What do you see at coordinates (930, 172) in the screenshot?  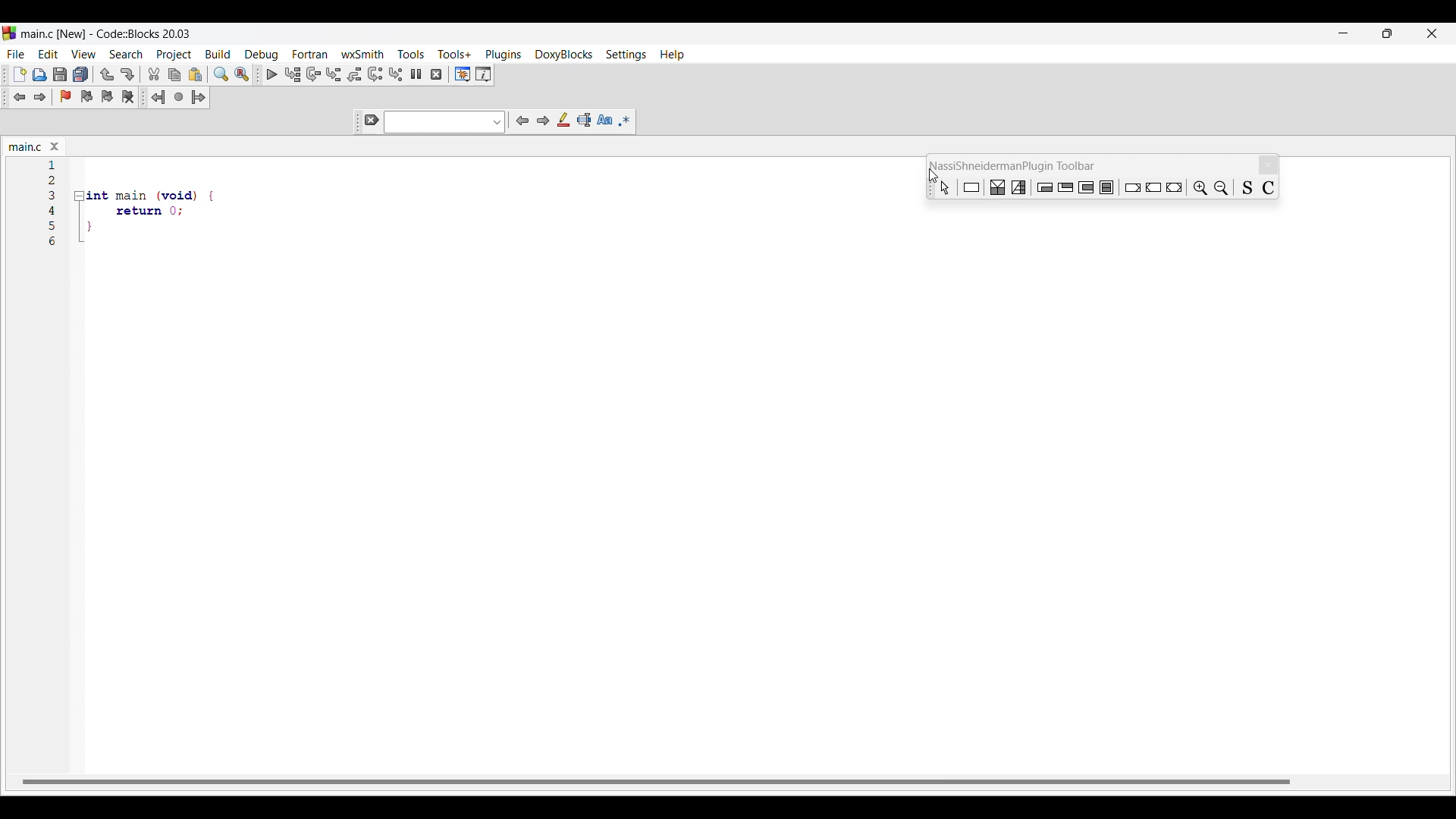 I see `Cursor position unchanged after dragging toolbar` at bounding box center [930, 172].